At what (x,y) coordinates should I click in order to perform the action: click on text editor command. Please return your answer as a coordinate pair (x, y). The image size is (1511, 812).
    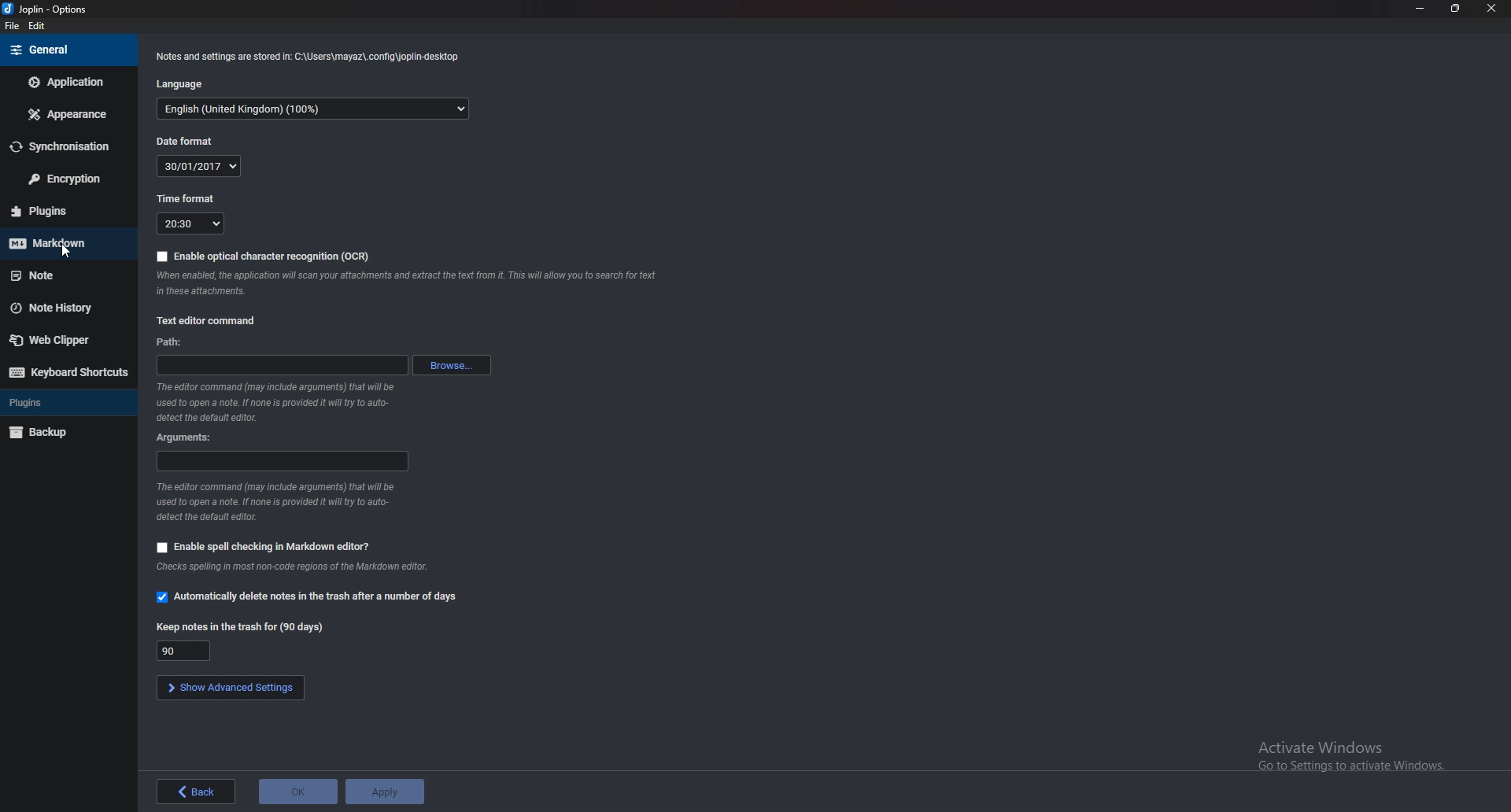
    Looking at the image, I should click on (205, 320).